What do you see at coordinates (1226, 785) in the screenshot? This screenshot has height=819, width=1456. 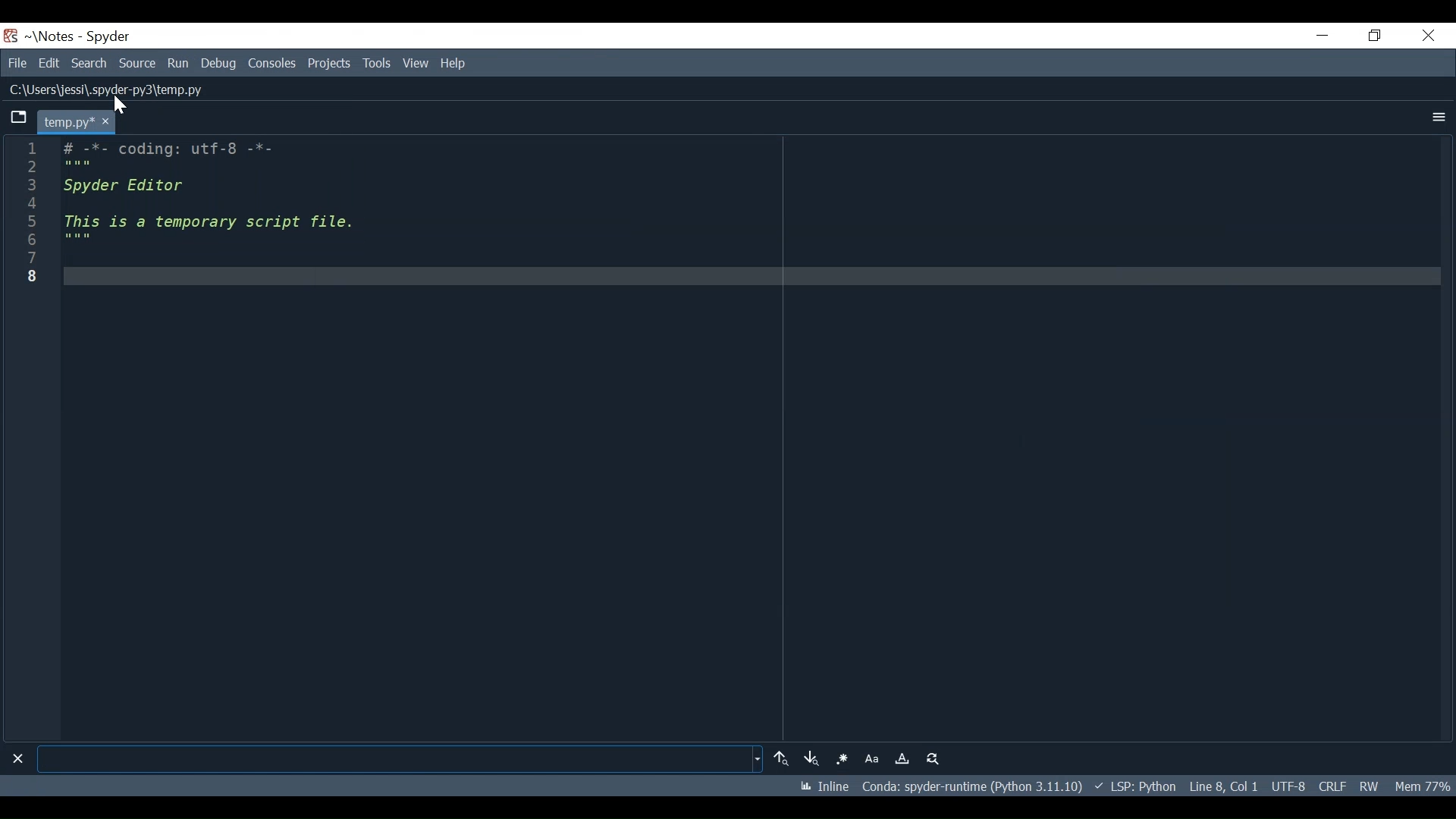 I see `Cursor Position` at bounding box center [1226, 785].